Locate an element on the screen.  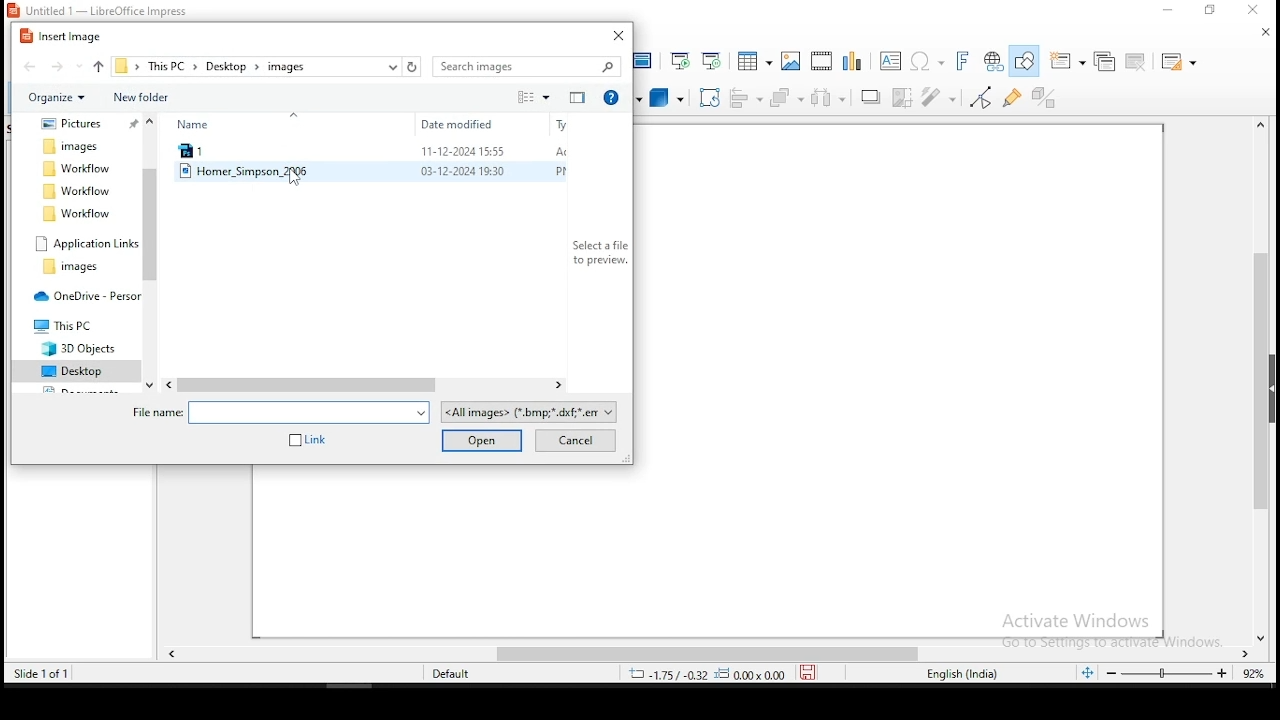
save is located at coordinates (810, 674).